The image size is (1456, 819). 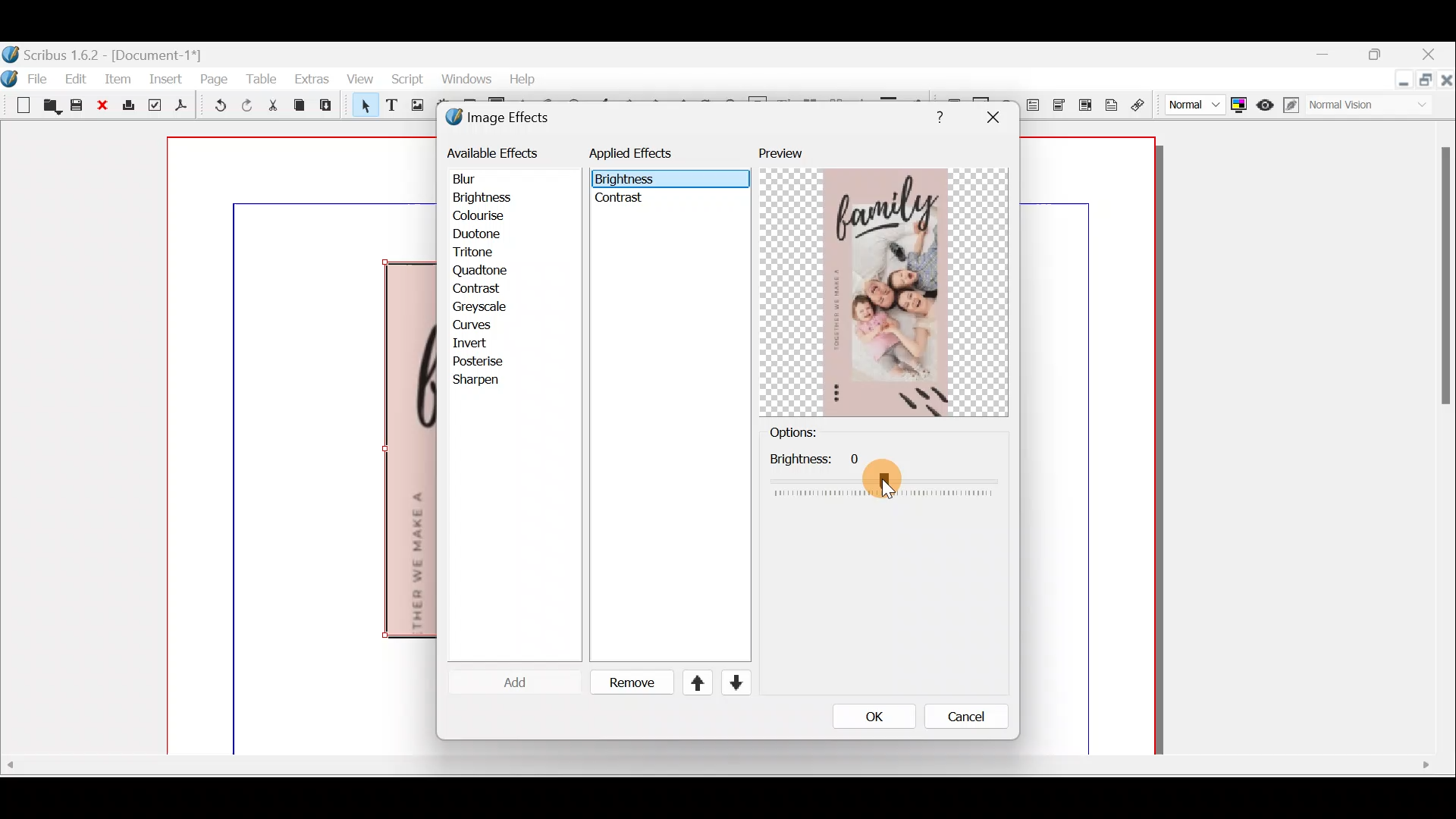 What do you see at coordinates (504, 682) in the screenshot?
I see `Cursor` at bounding box center [504, 682].